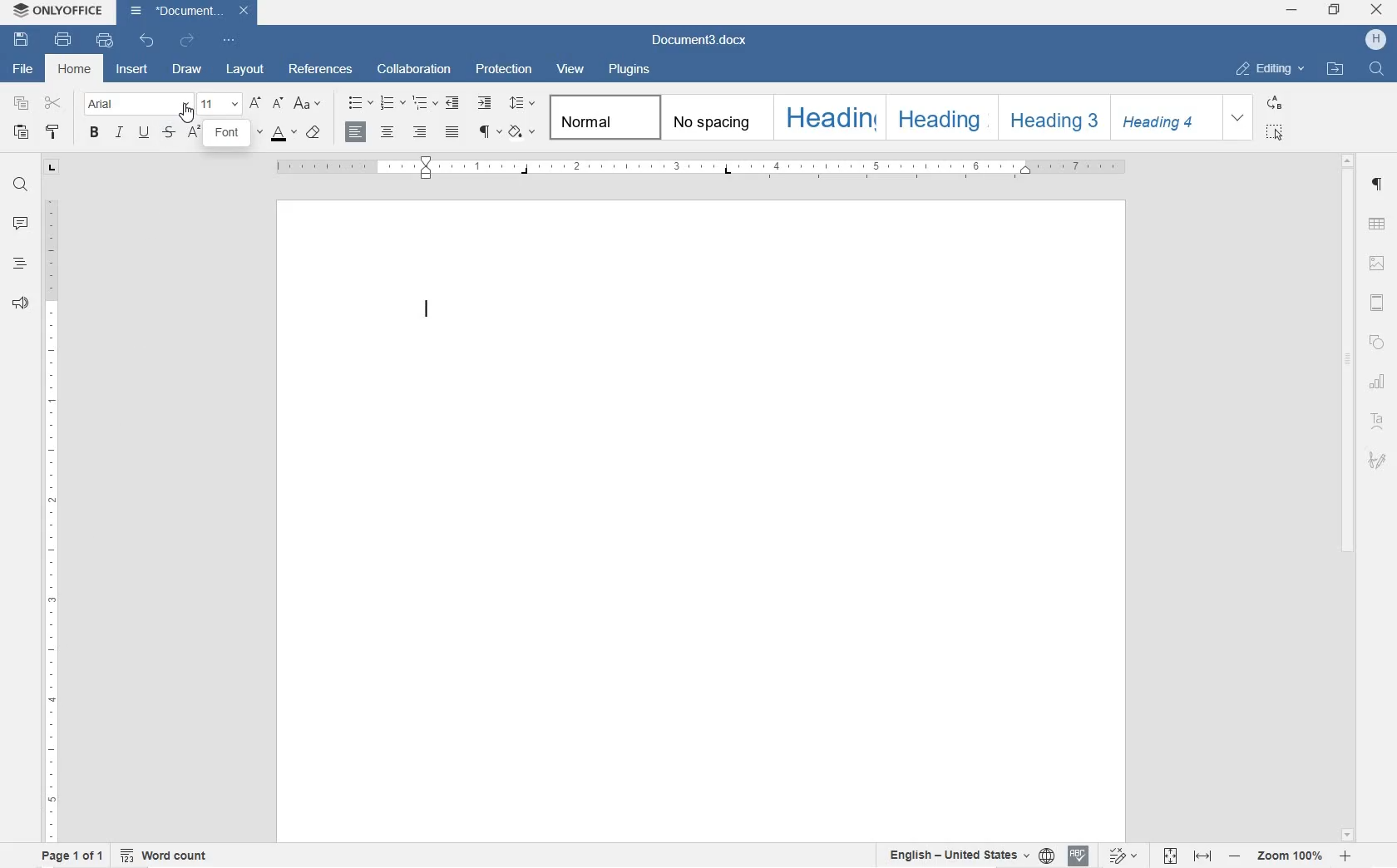 This screenshot has width=1397, height=868. Describe the element at coordinates (119, 134) in the screenshot. I see `ITALIC` at that location.